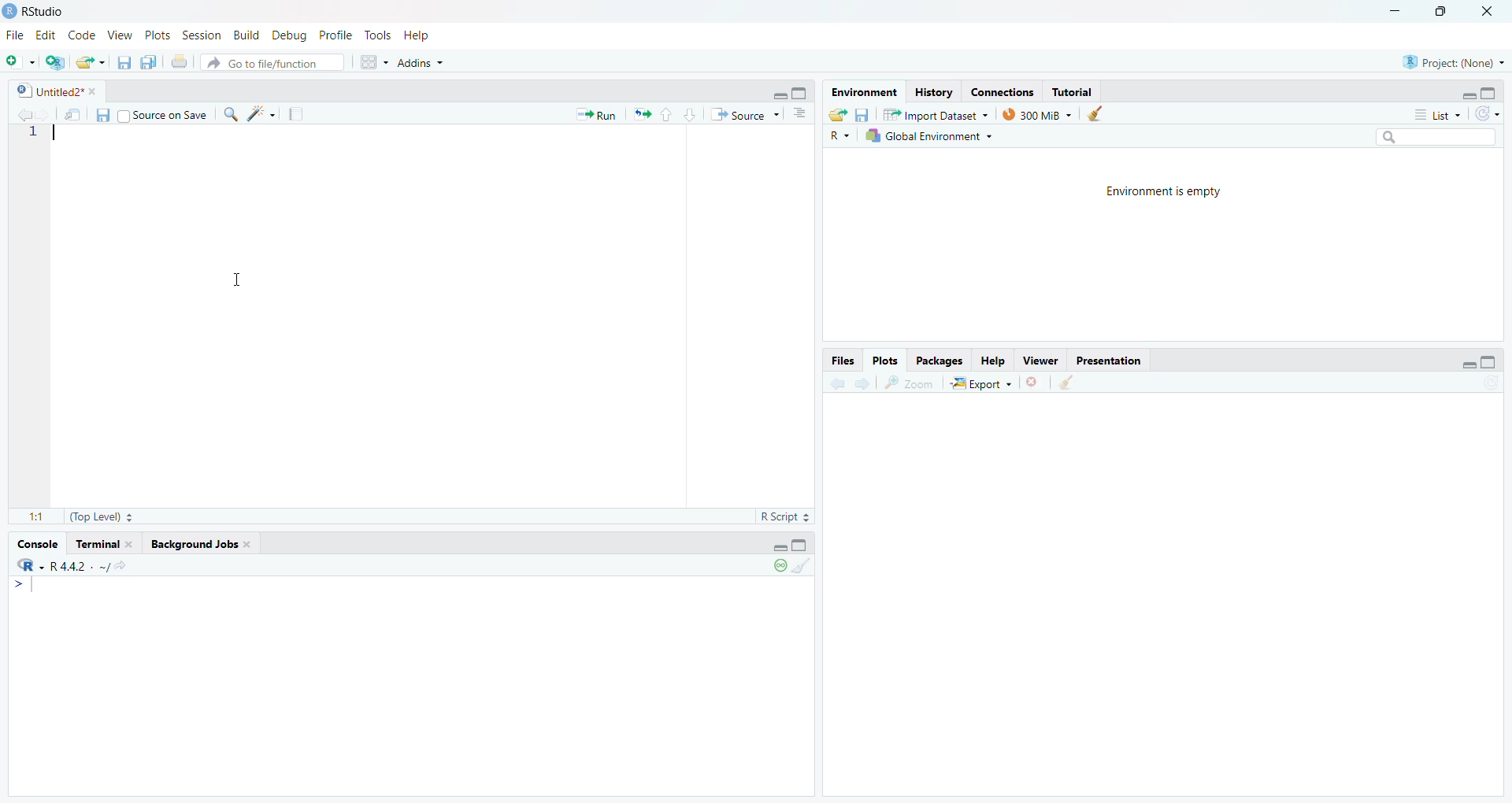 The height and width of the screenshot is (803, 1512). What do you see at coordinates (1492, 113) in the screenshot?
I see `refresh` at bounding box center [1492, 113].